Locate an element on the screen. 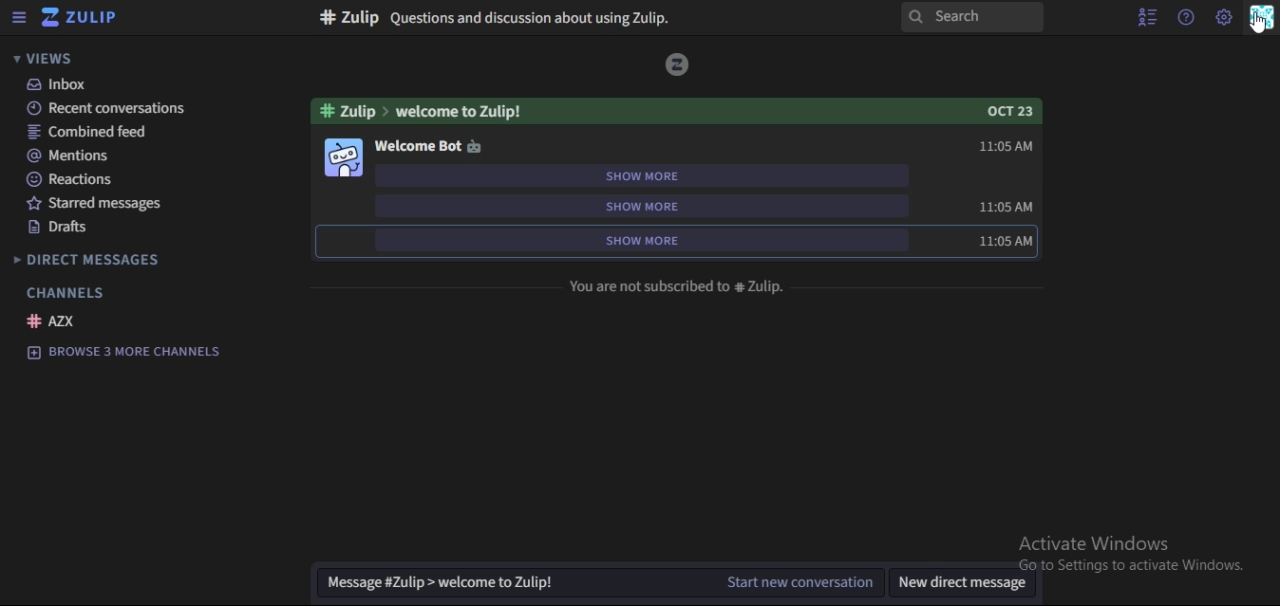 The image size is (1280, 606). 11:05 AM is located at coordinates (1008, 207).